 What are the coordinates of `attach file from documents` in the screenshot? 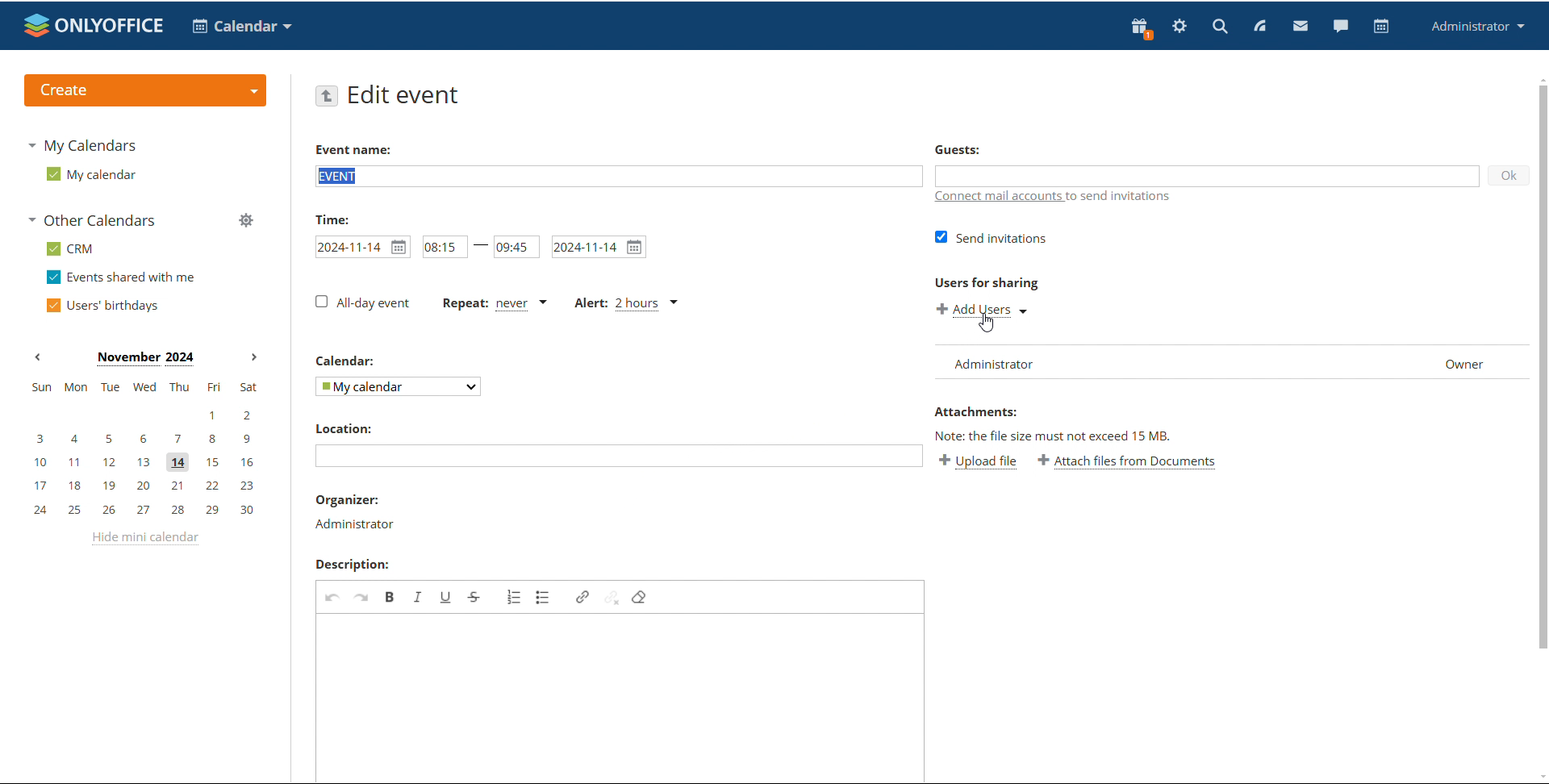 It's located at (1128, 460).